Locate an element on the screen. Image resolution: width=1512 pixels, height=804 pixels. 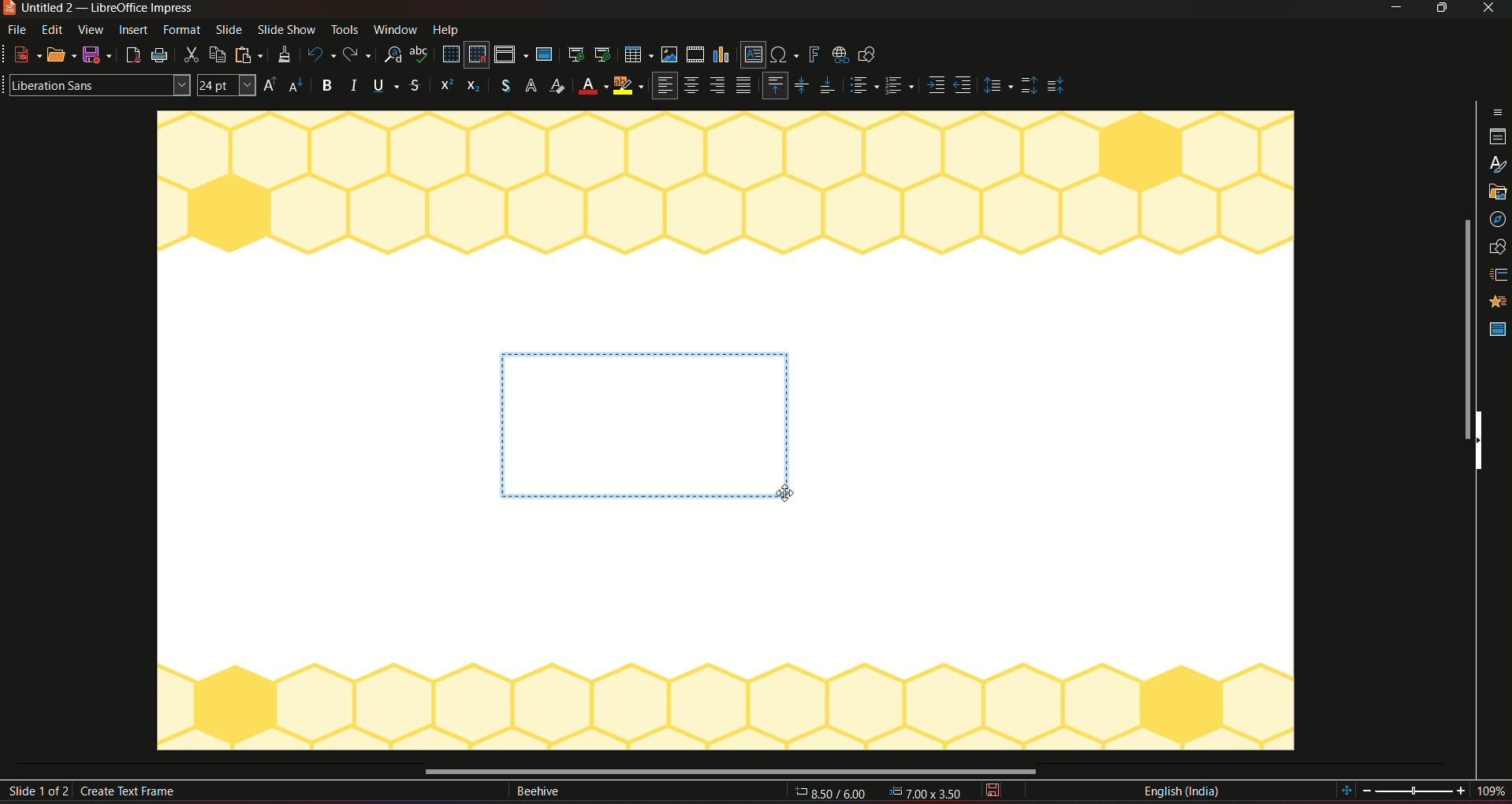
start from first slide is located at coordinates (575, 54).